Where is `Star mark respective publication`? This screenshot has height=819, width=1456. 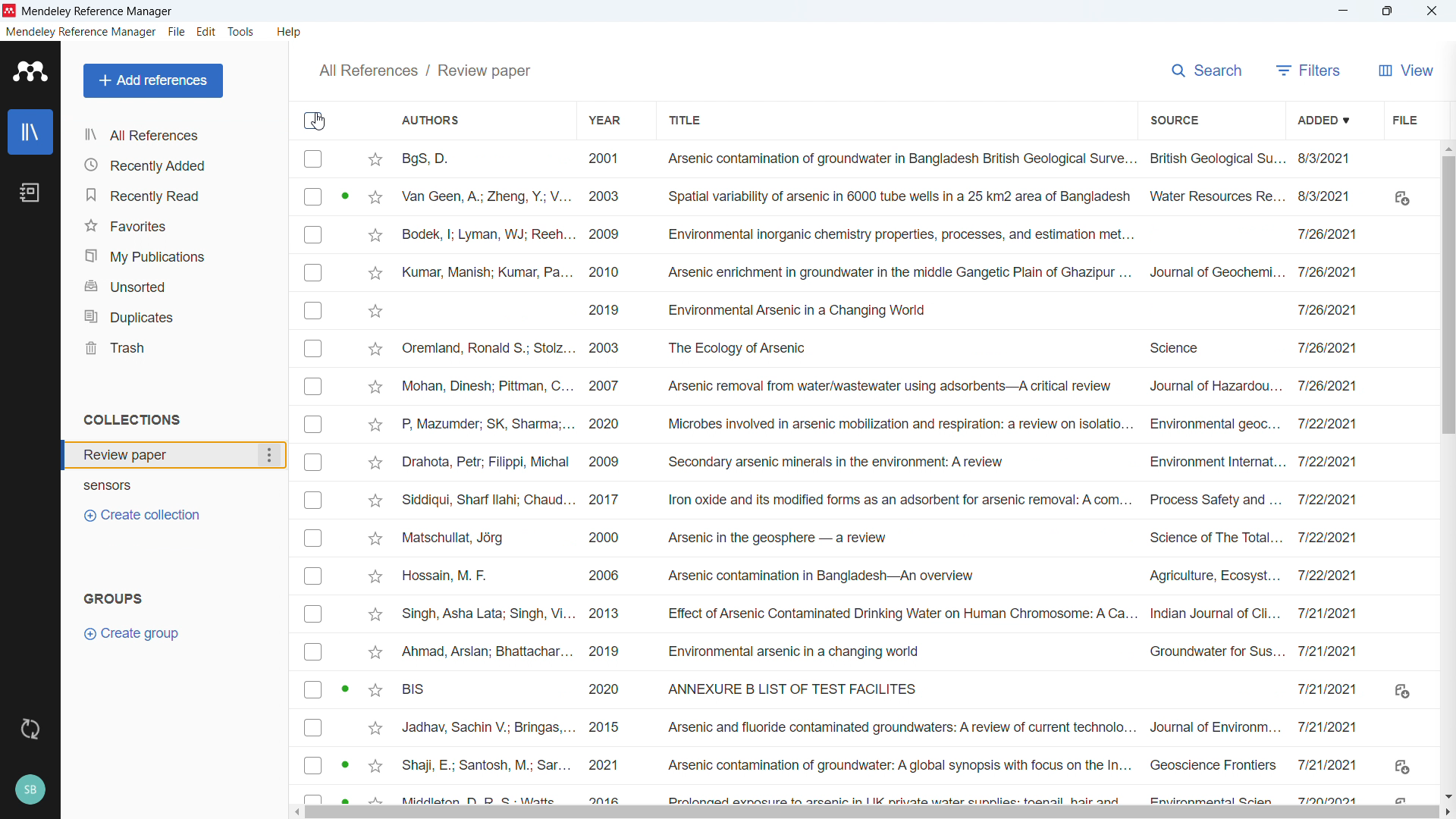 Star mark respective publication is located at coordinates (375, 652).